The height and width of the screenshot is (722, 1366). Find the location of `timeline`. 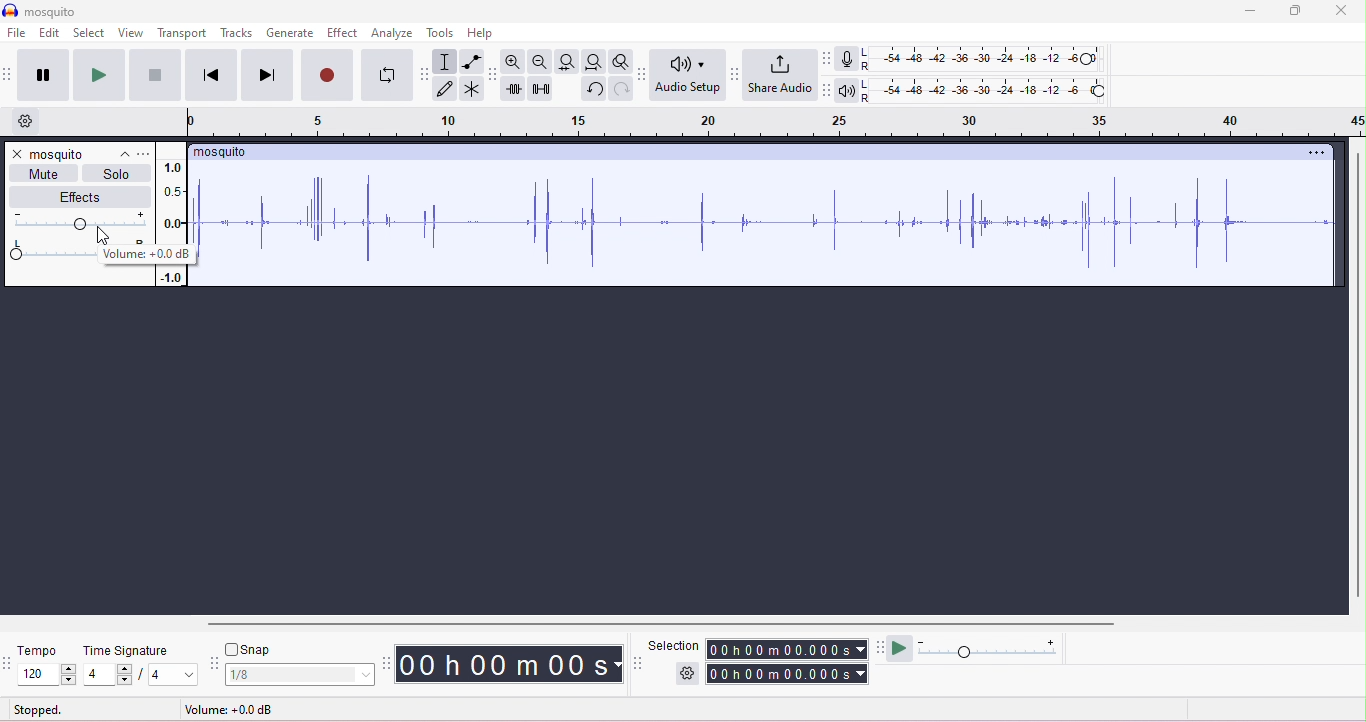

timeline is located at coordinates (774, 123).